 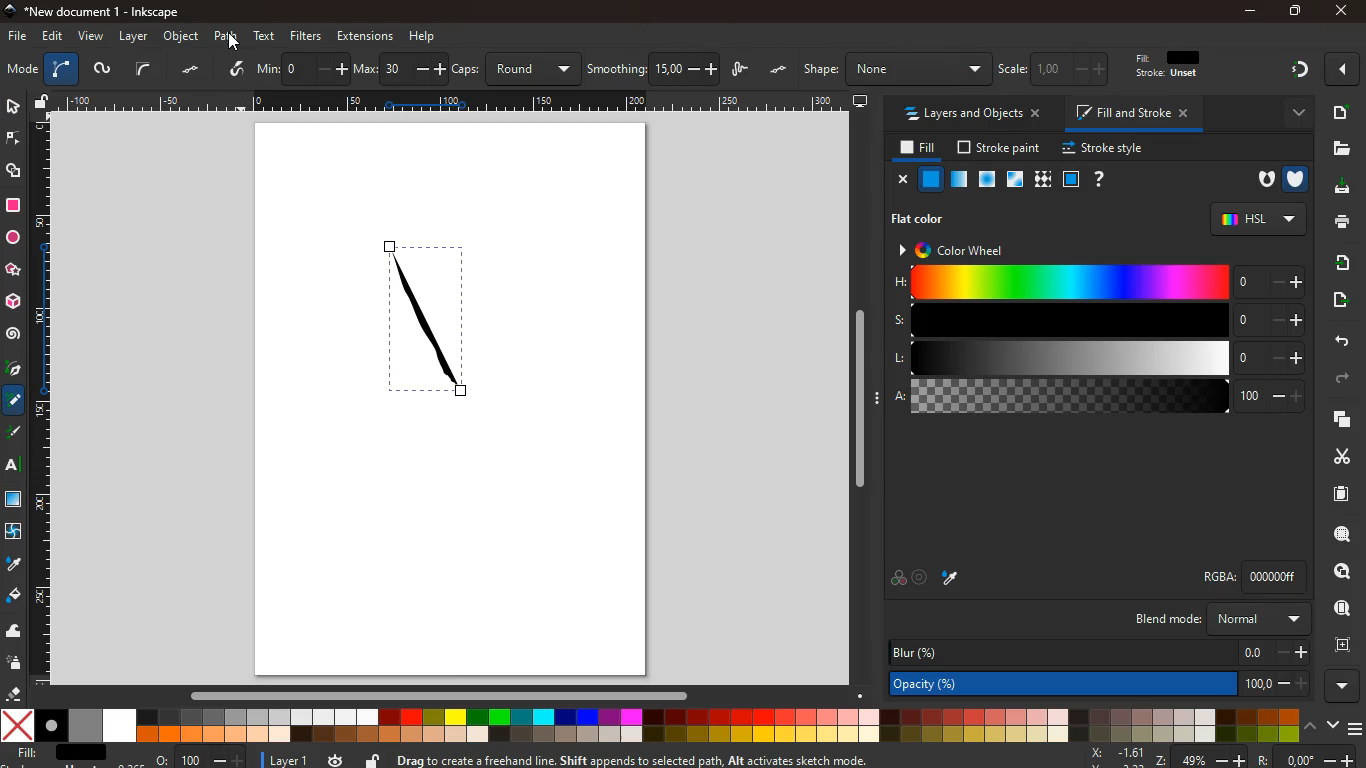 I want to click on spiral, so click(x=13, y=334).